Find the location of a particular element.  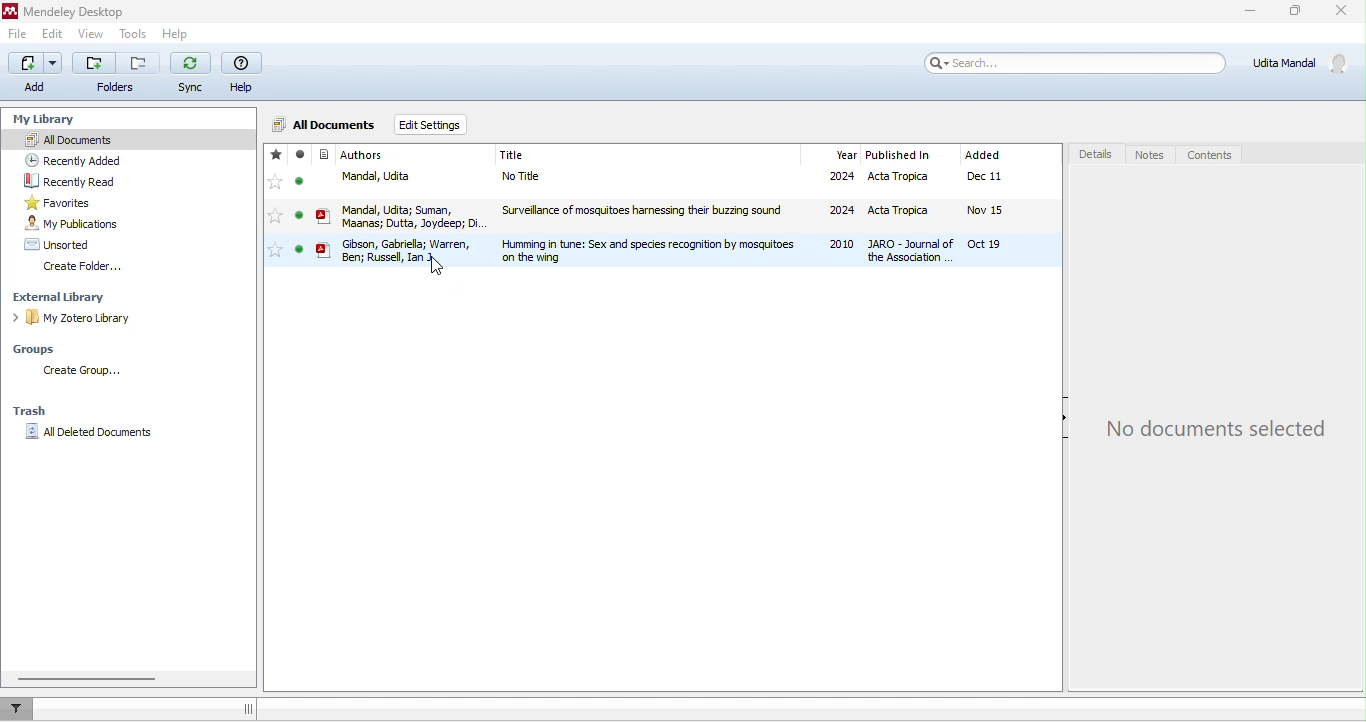

account is located at coordinates (1298, 69).